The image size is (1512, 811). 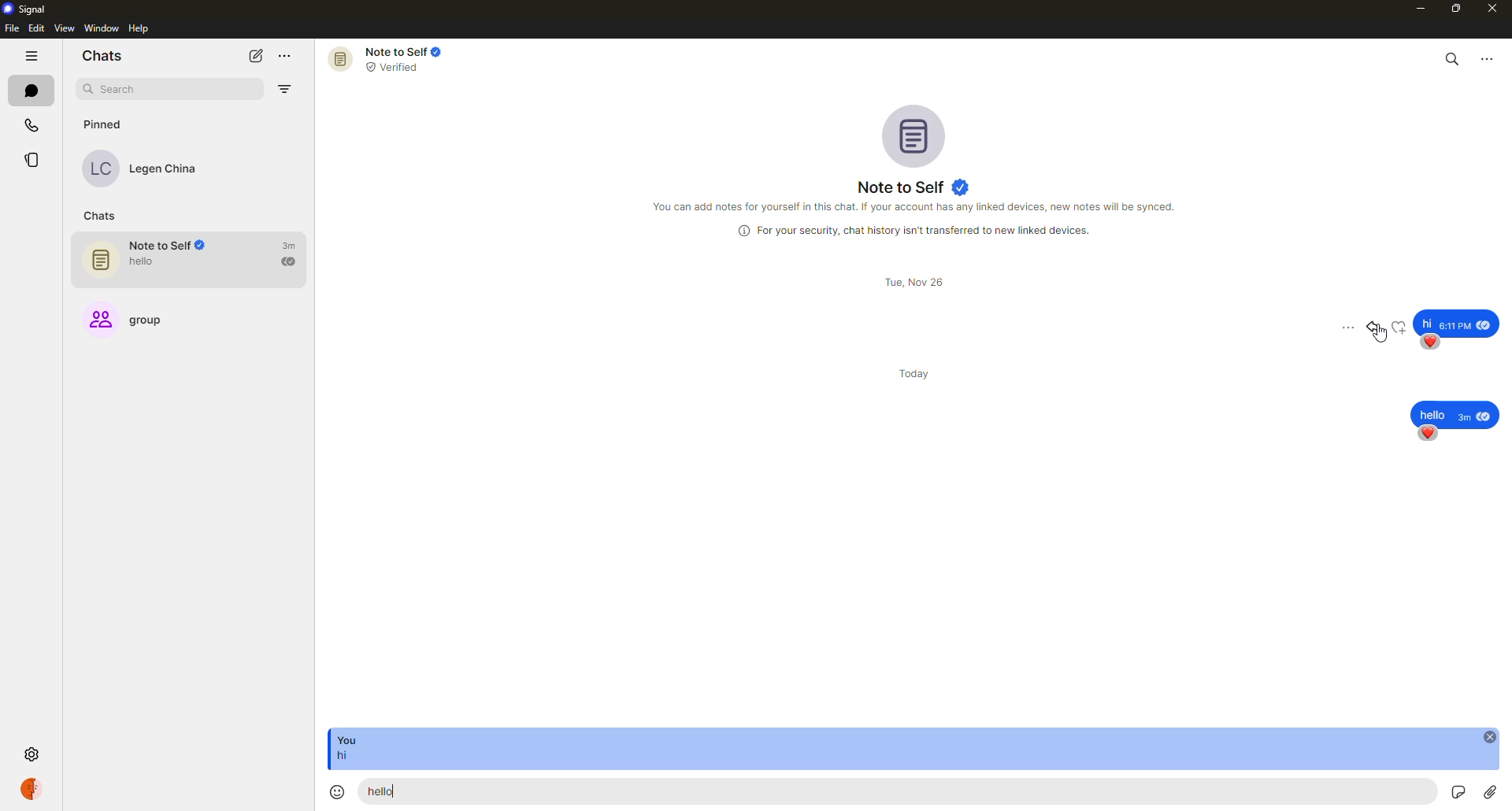 I want to click on profile pic, so click(x=912, y=131).